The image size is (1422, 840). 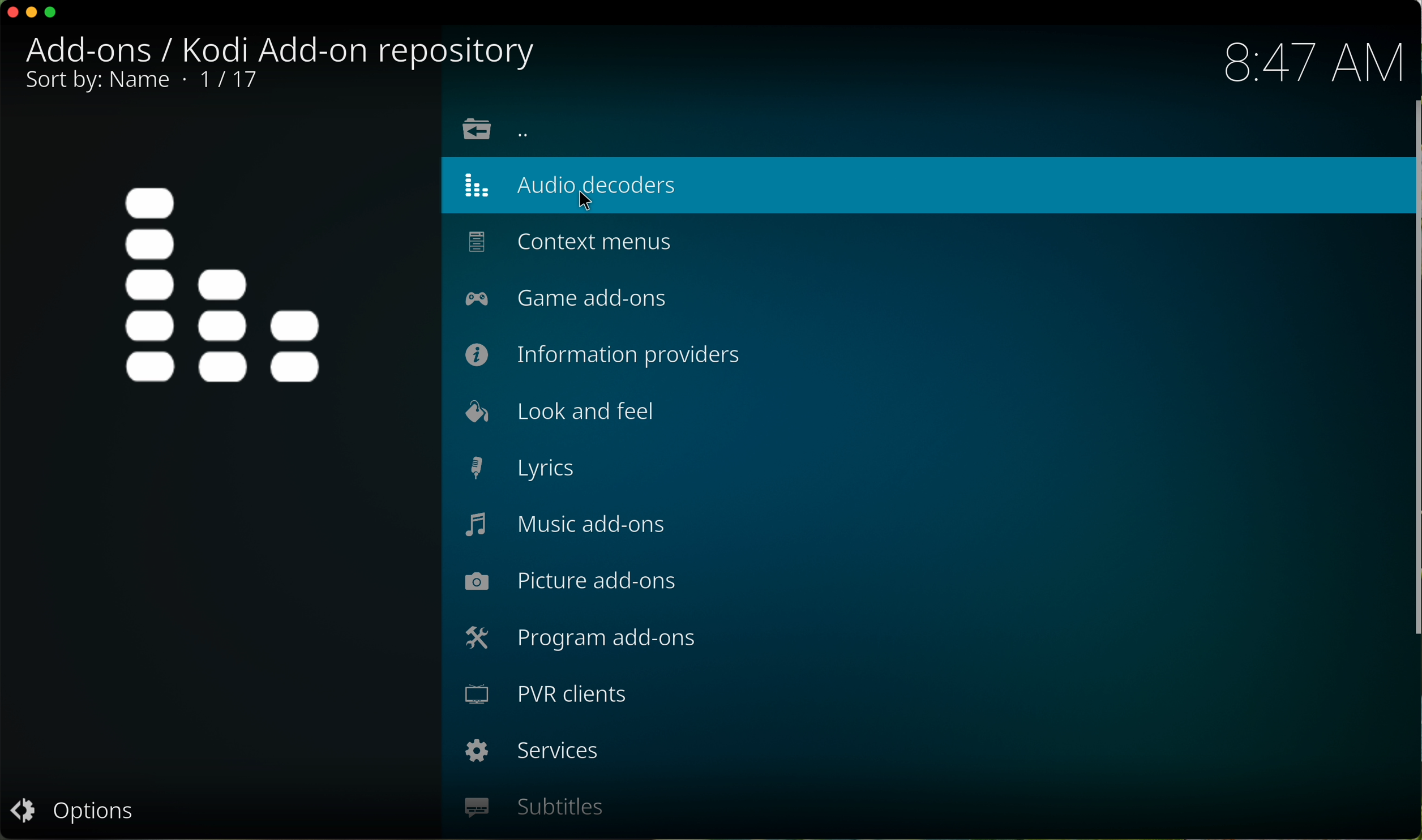 What do you see at coordinates (496, 131) in the screenshot?
I see `back` at bounding box center [496, 131].